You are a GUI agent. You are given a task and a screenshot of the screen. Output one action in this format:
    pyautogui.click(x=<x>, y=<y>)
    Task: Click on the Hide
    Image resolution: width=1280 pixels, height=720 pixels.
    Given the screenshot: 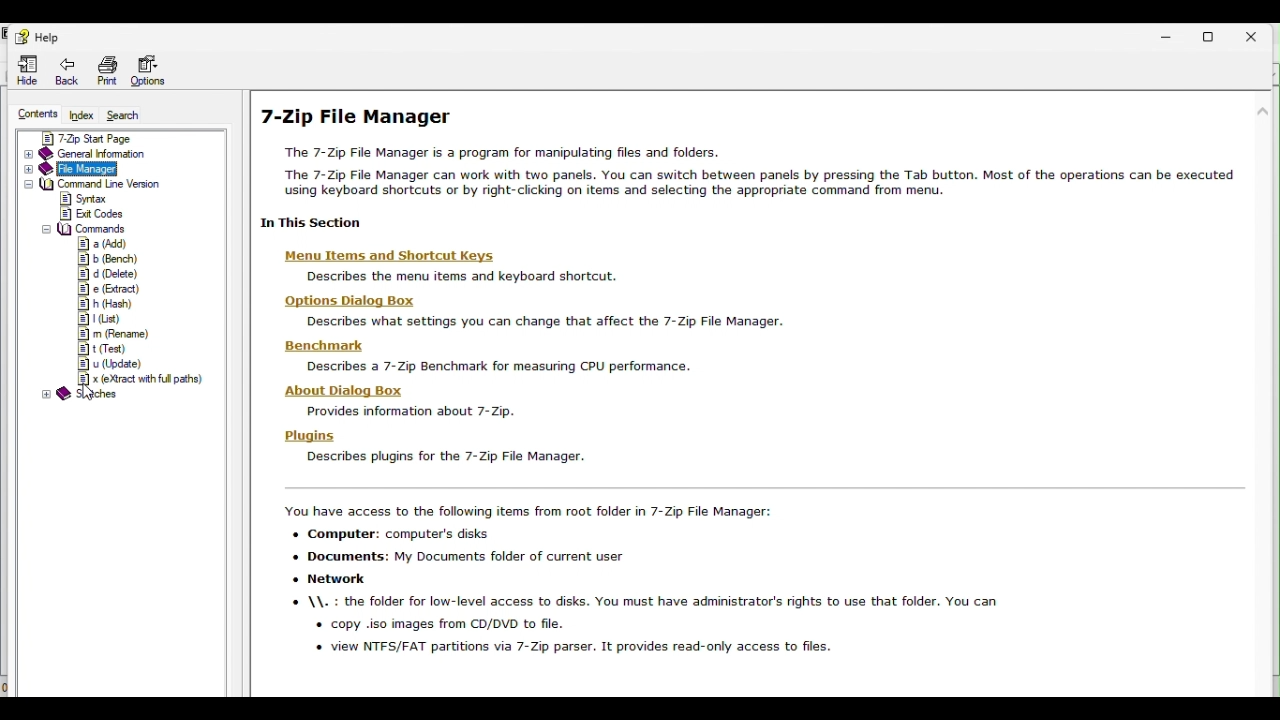 What is the action you would take?
    pyautogui.click(x=22, y=71)
    